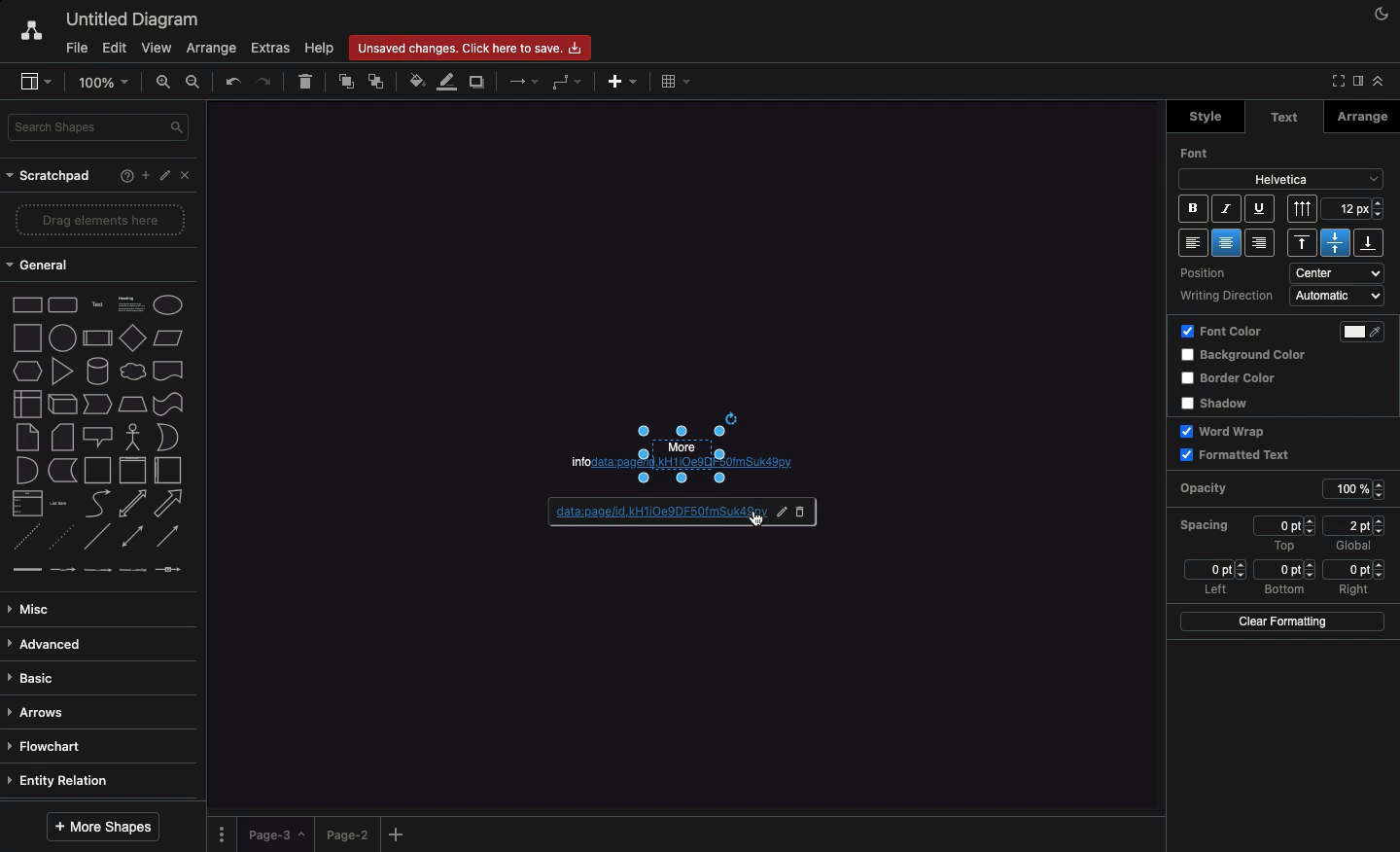 The image size is (1400, 852). What do you see at coordinates (168, 470) in the screenshot?
I see `horizontal container` at bounding box center [168, 470].